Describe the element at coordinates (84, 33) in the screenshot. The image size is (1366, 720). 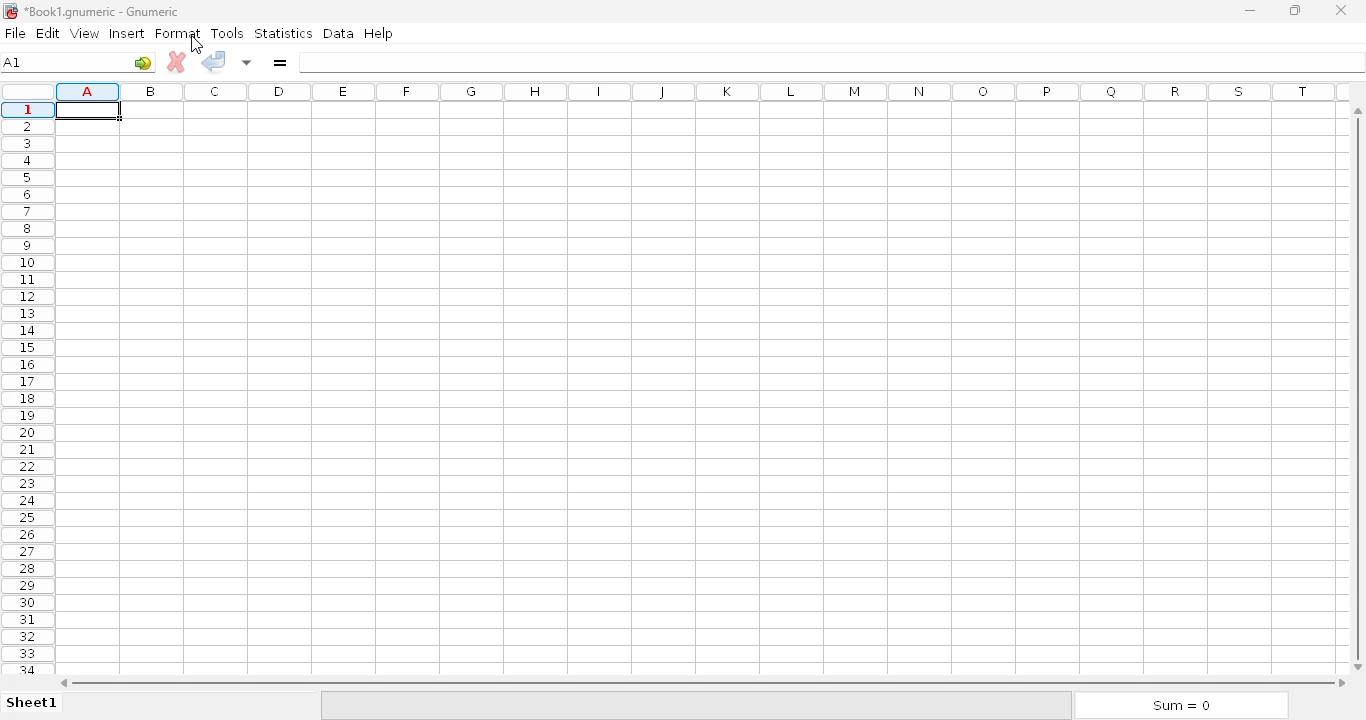
I see `view` at that location.